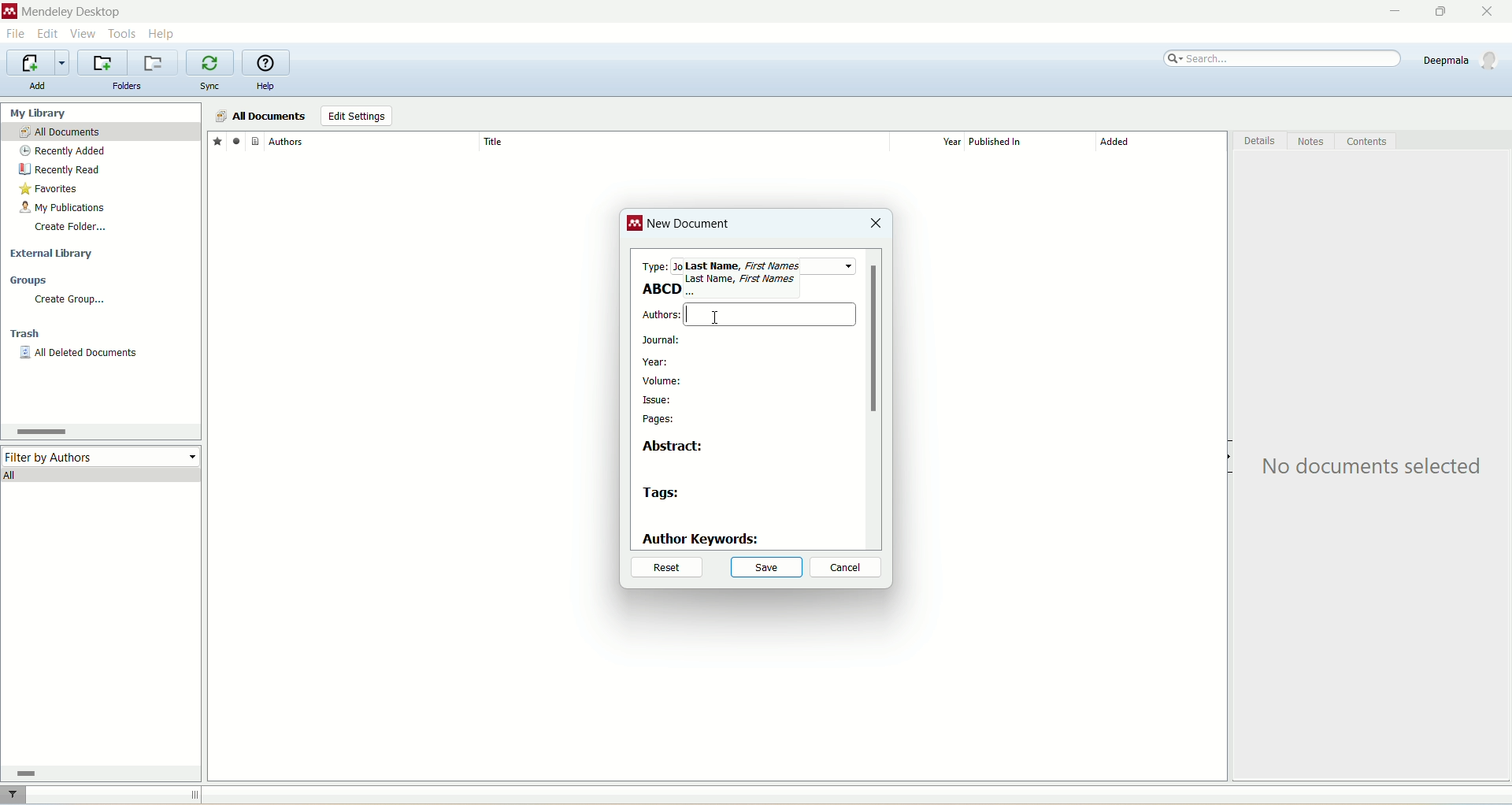 The image size is (1512, 805). Describe the element at coordinates (661, 420) in the screenshot. I see `pages` at that location.